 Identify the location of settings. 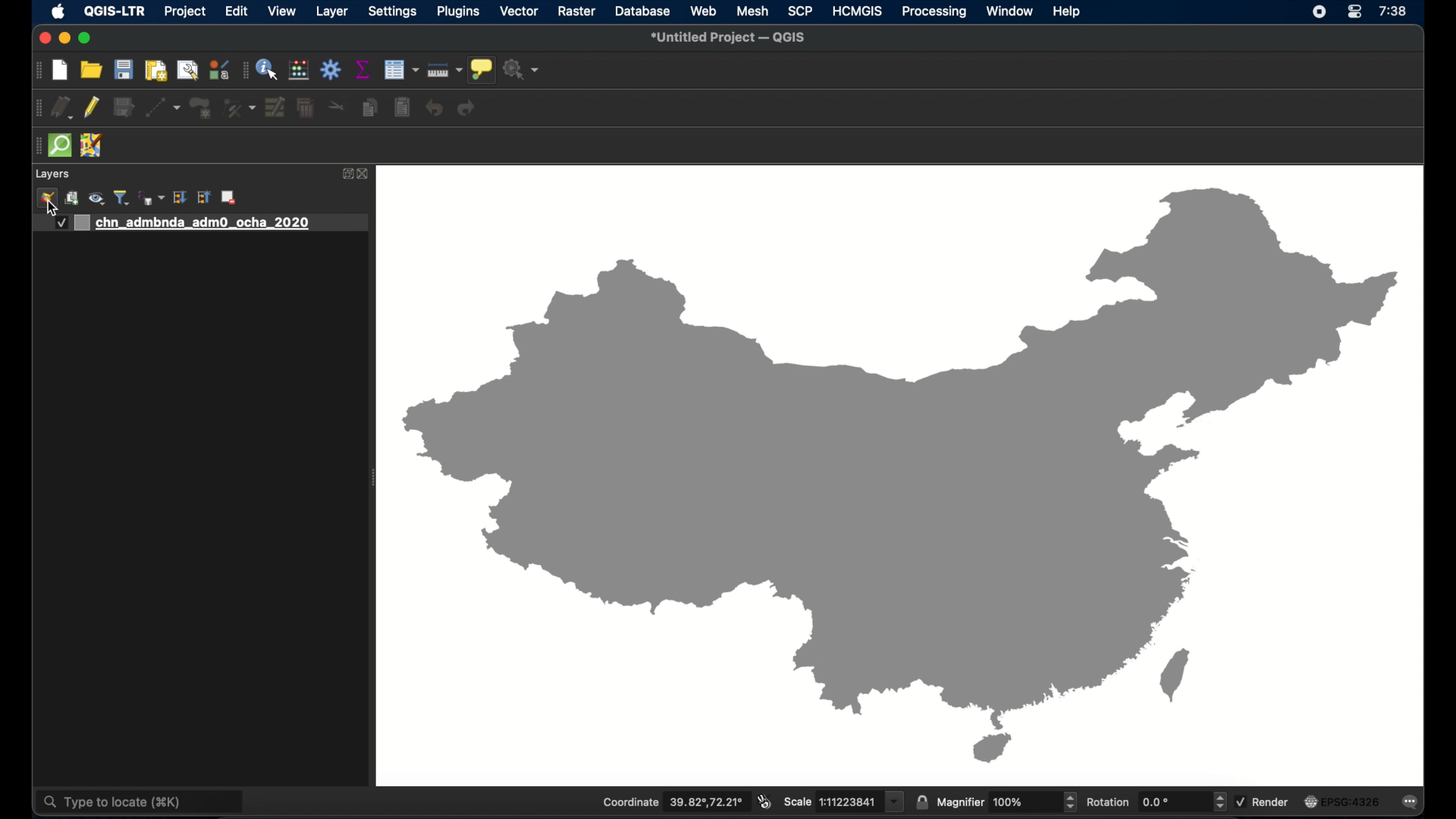
(393, 11).